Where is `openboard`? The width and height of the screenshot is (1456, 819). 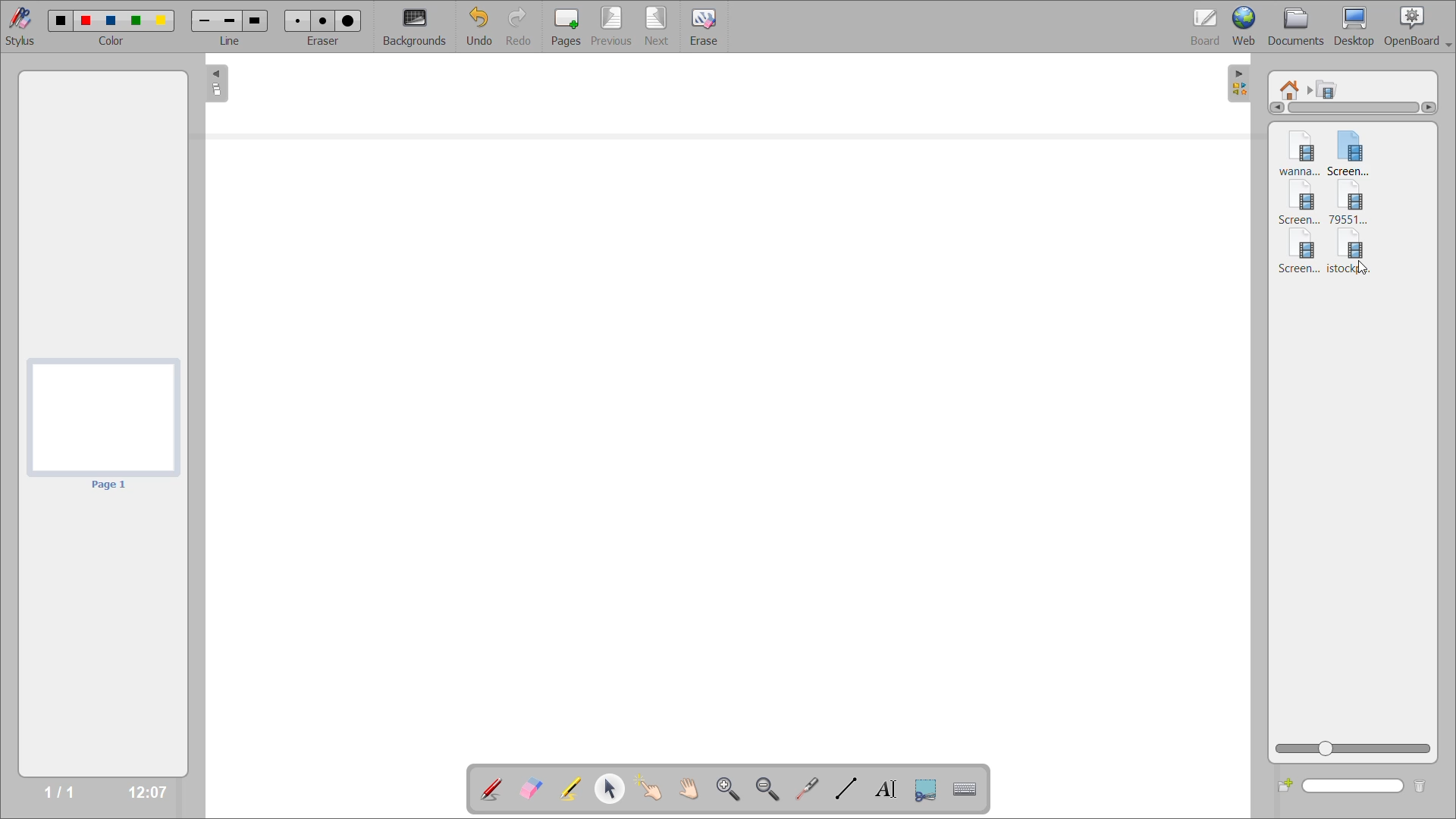
openboard is located at coordinates (1420, 24).